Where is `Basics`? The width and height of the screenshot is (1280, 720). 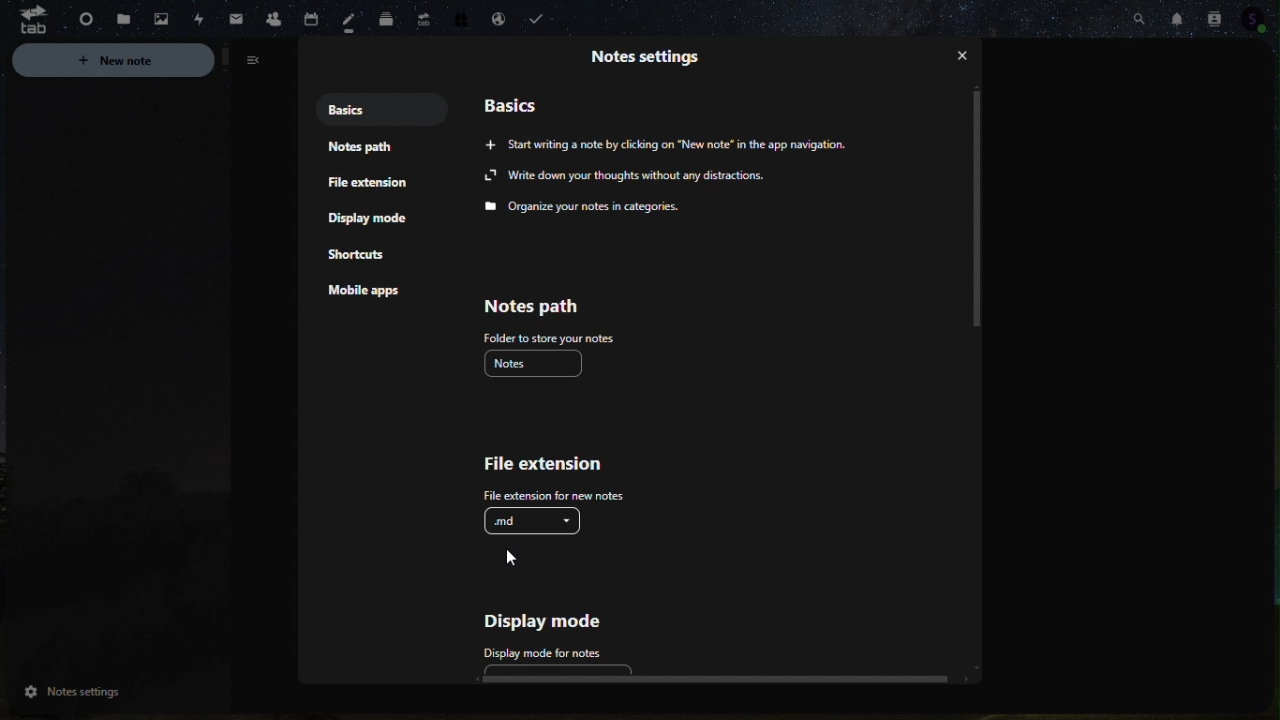 Basics is located at coordinates (522, 104).